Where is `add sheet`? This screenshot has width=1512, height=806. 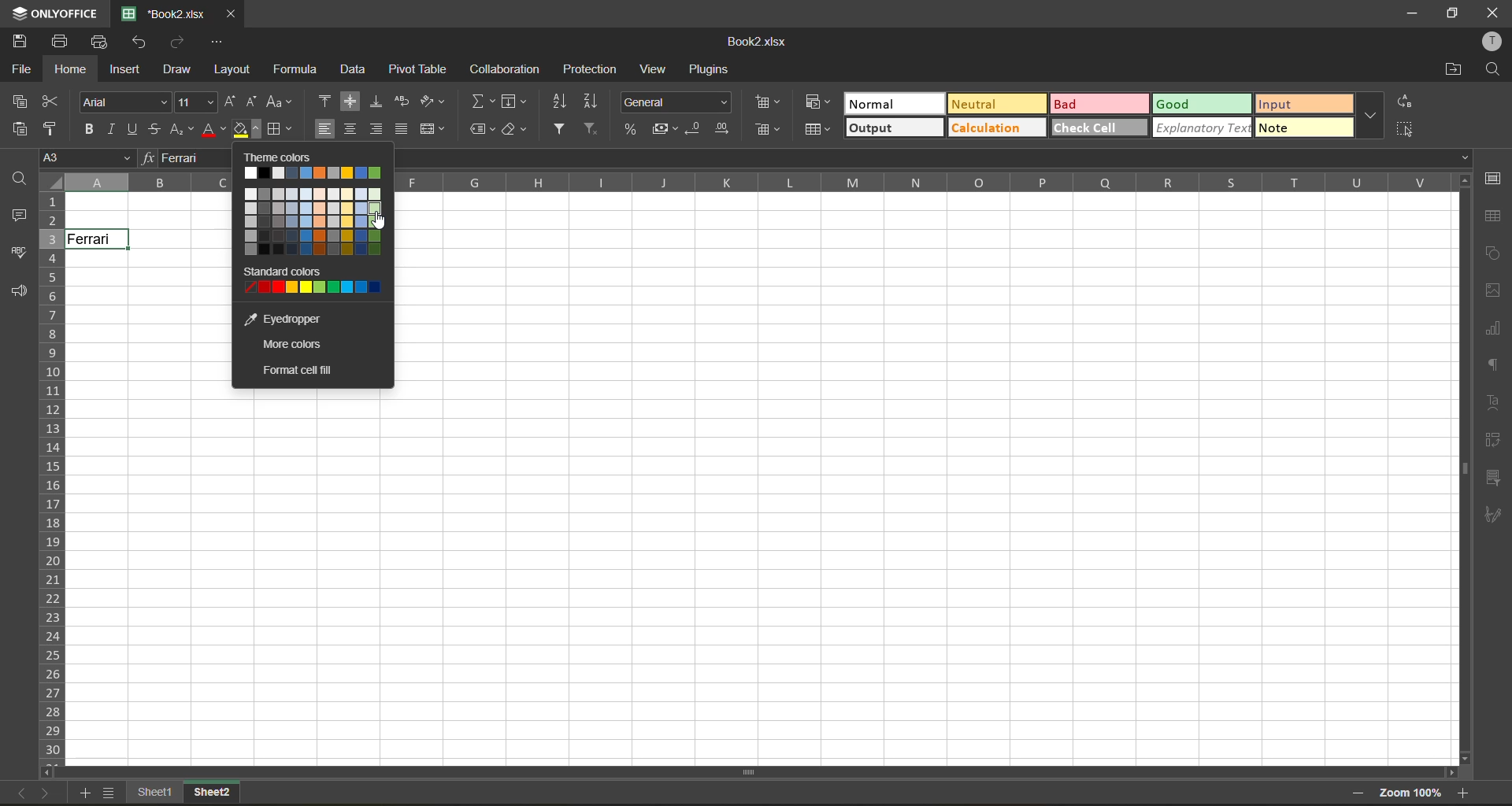
add sheet is located at coordinates (80, 794).